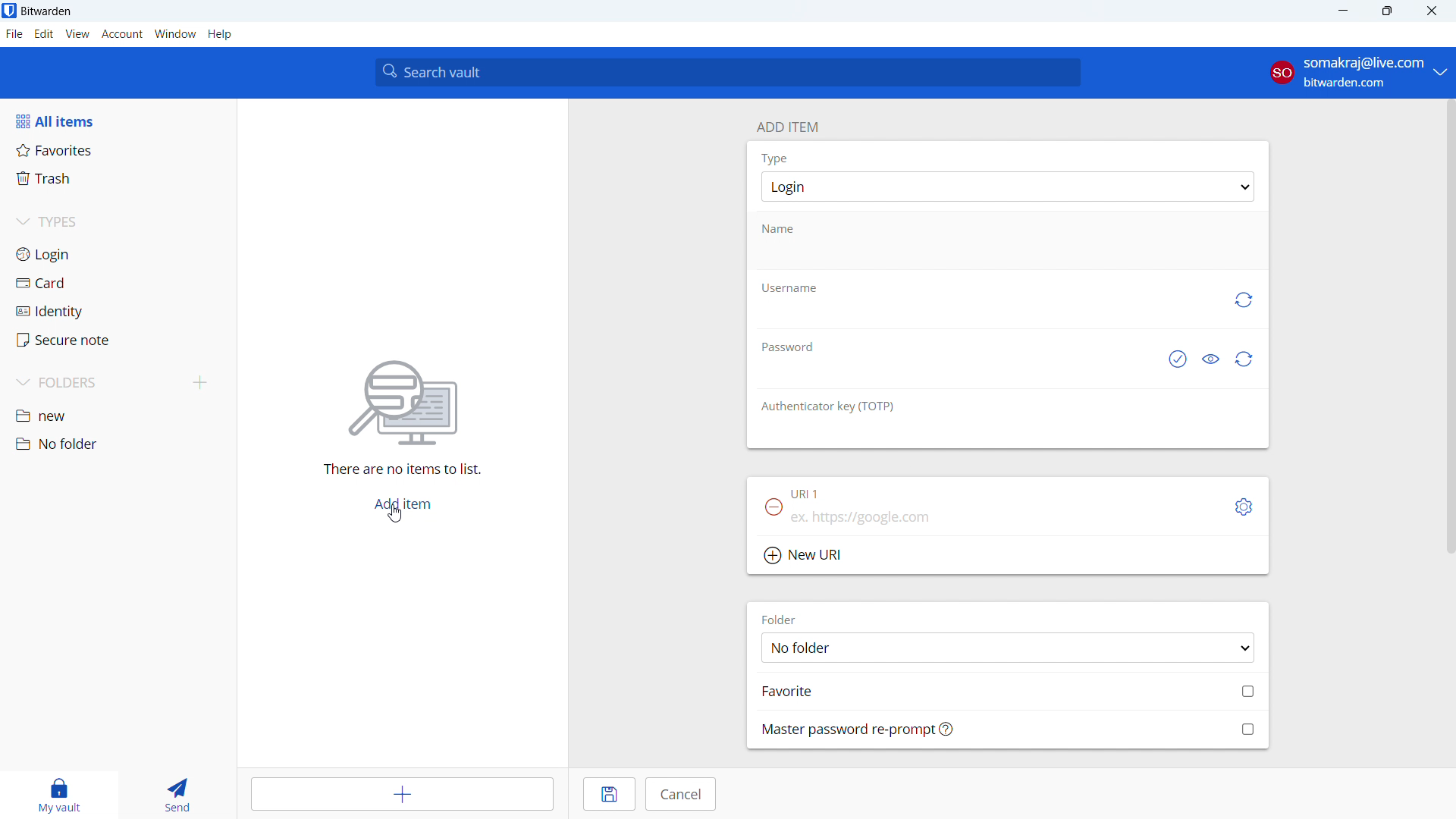 The image size is (1456, 819). I want to click on minimize, so click(1341, 11).